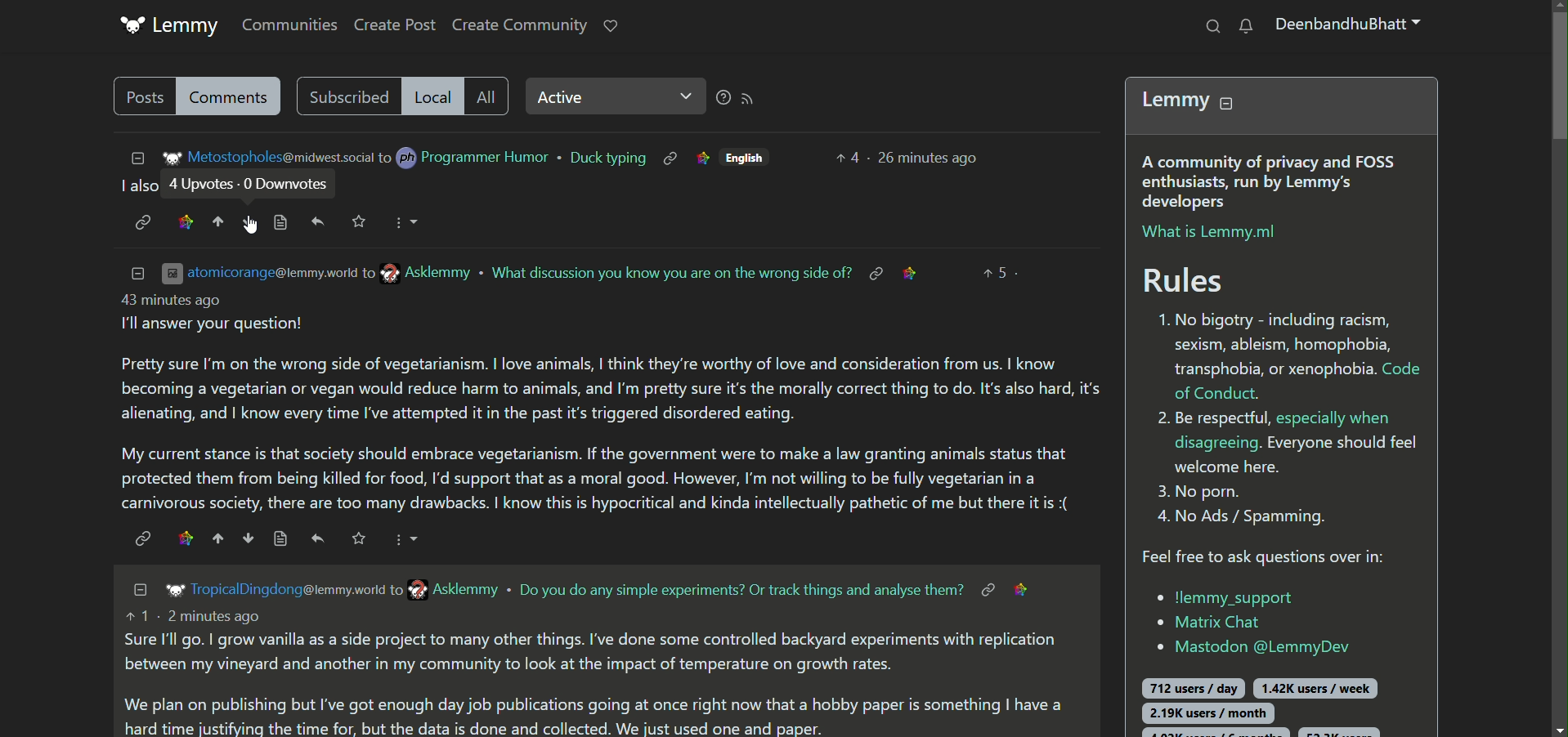 The height and width of the screenshot is (737, 1568). I want to click on signal, so click(741, 97).